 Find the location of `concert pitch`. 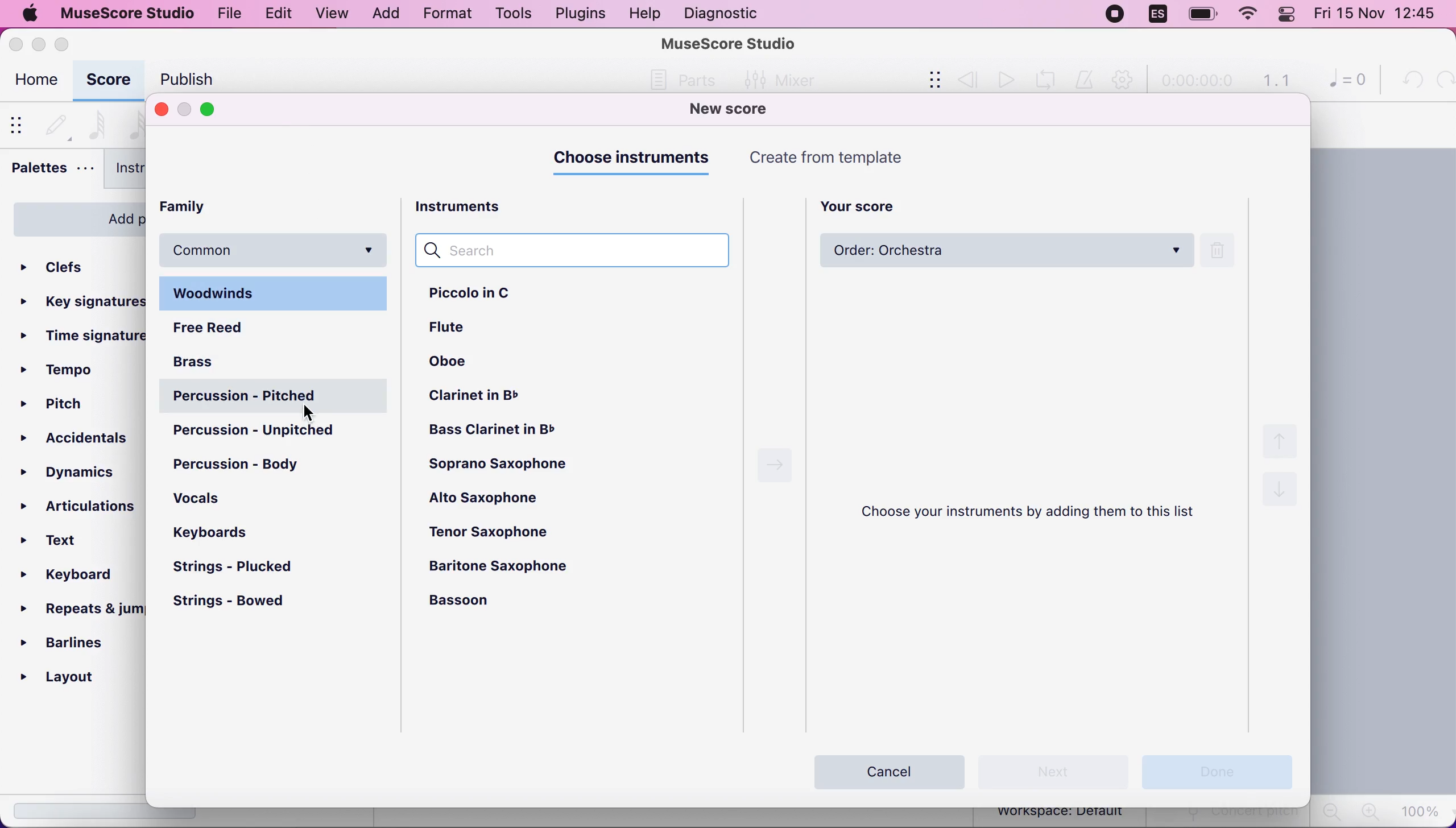

concert pitch is located at coordinates (1230, 818).